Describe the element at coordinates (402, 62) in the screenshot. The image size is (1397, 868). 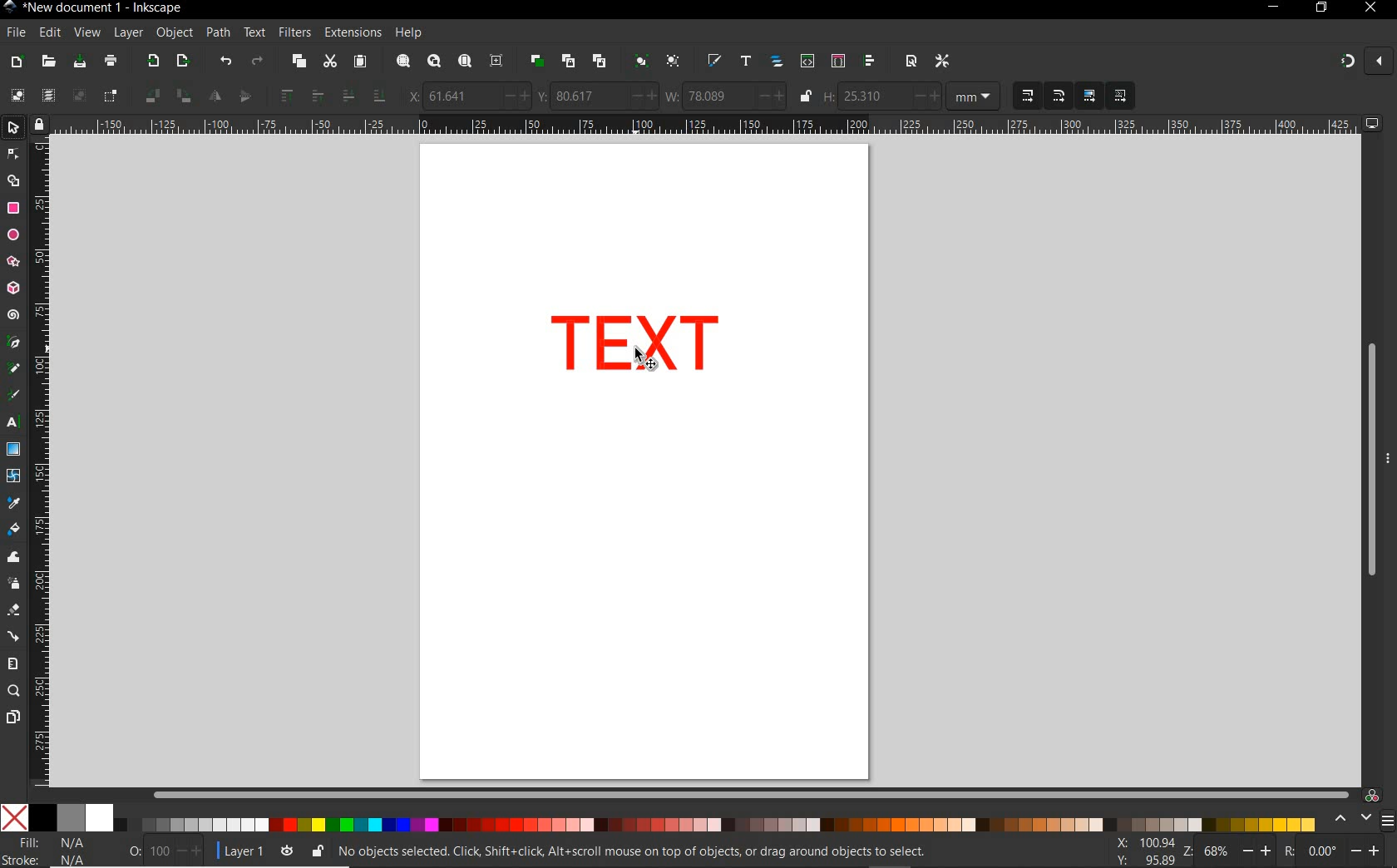
I see `zoom selection` at that location.